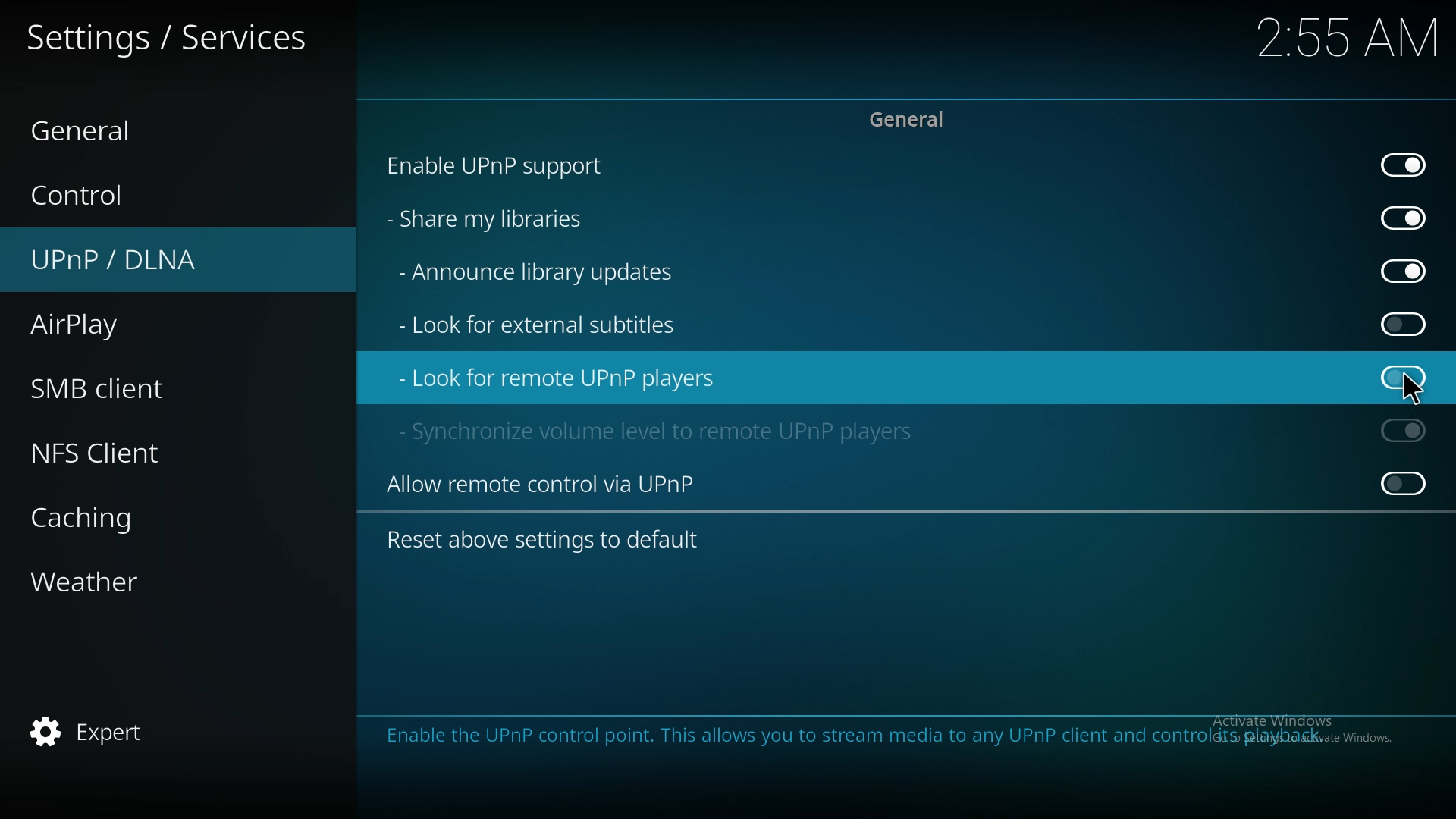 Image resolution: width=1456 pixels, height=819 pixels. What do you see at coordinates (1299, 730) in the screenshot?
I see `Activate Windows, Go to settings to activate windows` at bounding box center [1299, 730].